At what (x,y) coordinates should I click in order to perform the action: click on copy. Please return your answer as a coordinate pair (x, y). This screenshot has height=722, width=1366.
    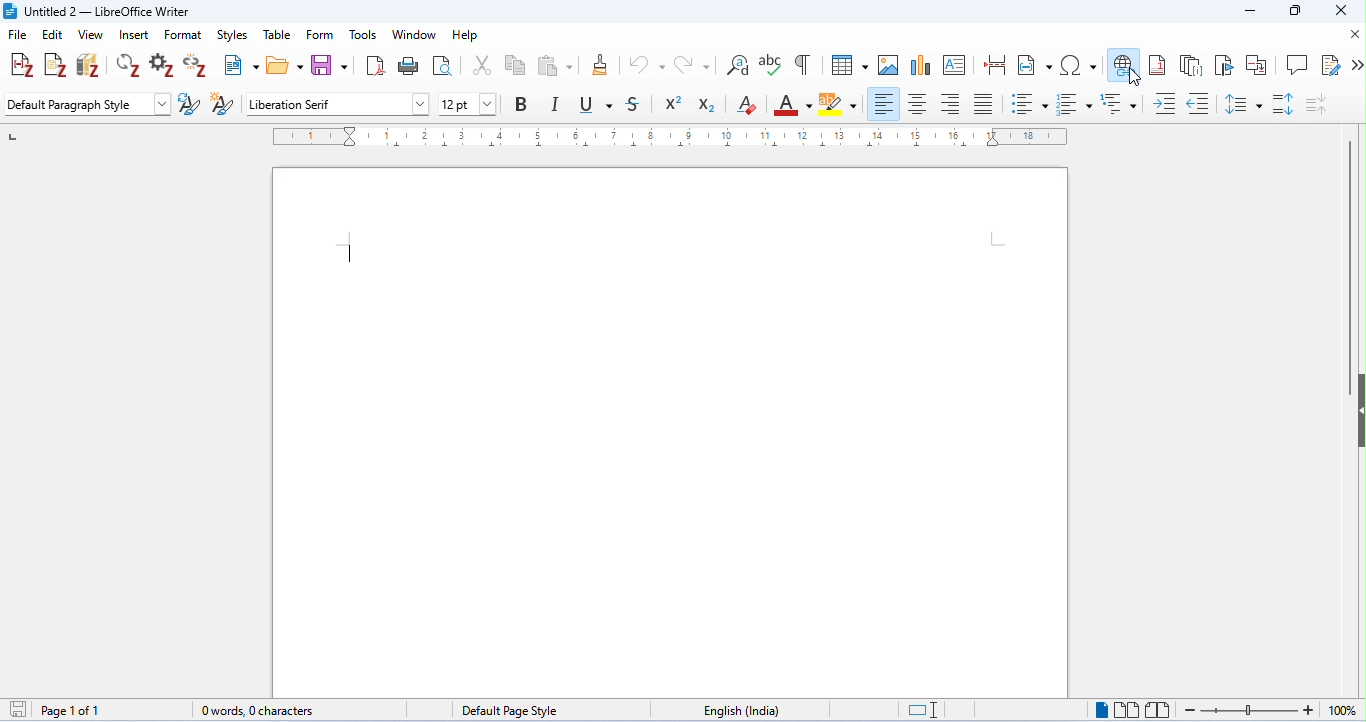
    Looking at the image, I should click on (516, 65).